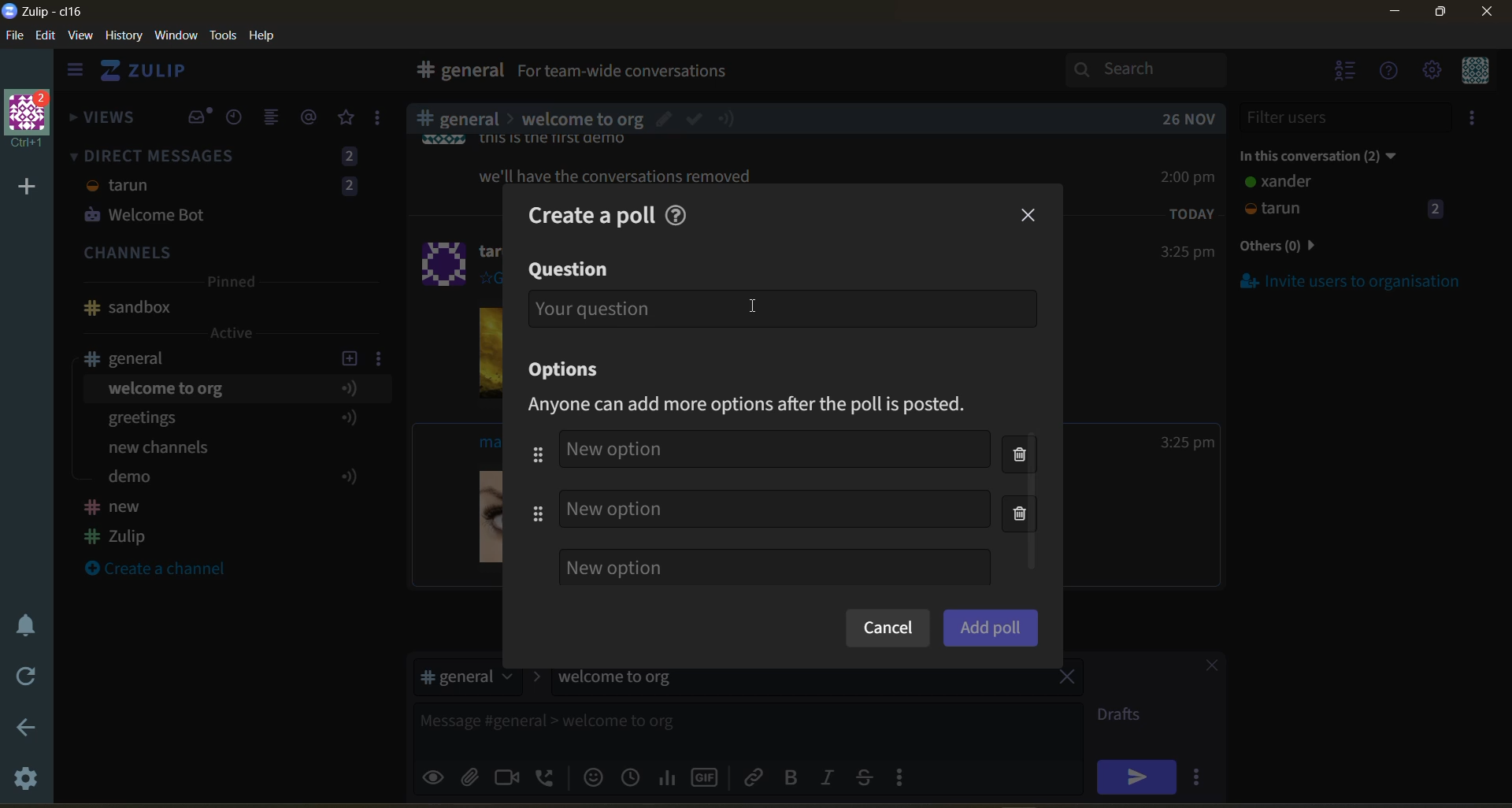 This screenshot has height=808, width=1512. What do you see at coordinates (570, 269) in the screenshot?
I see `question` at bounding box center [570, 269].